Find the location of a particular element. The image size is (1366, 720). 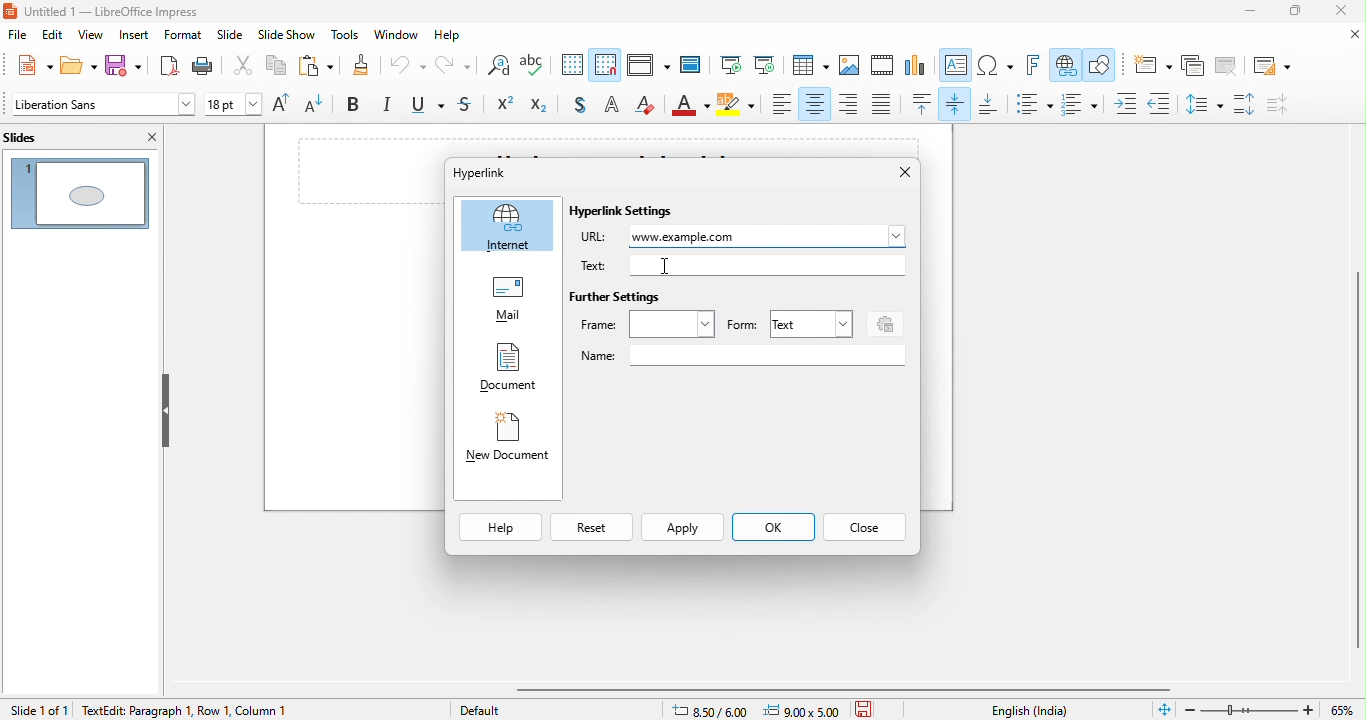

untitled 1- libreoffice impress is located at coordinates (122, 12).